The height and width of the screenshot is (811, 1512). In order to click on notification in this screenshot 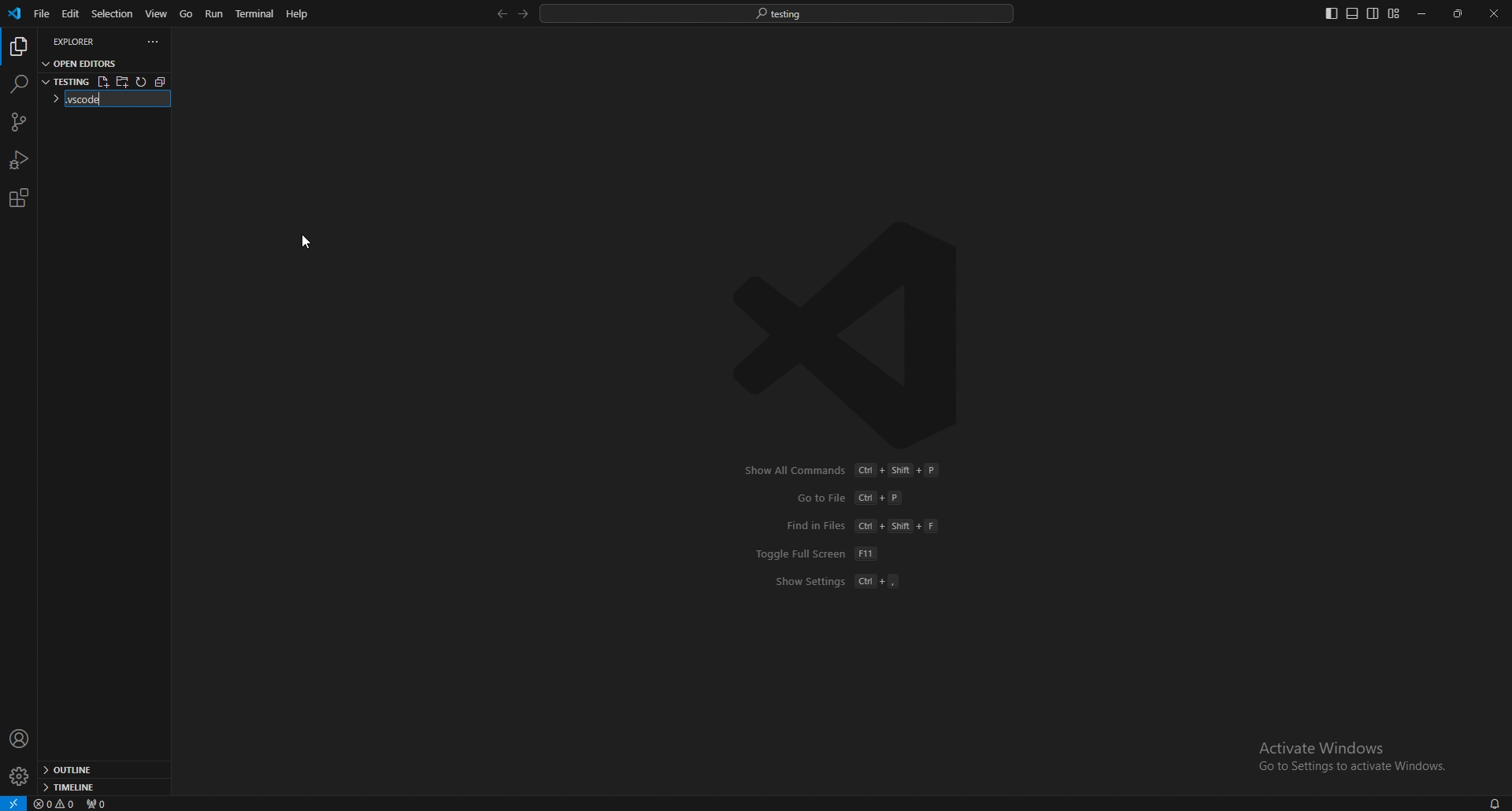, I will do `click(1493, 803)`.